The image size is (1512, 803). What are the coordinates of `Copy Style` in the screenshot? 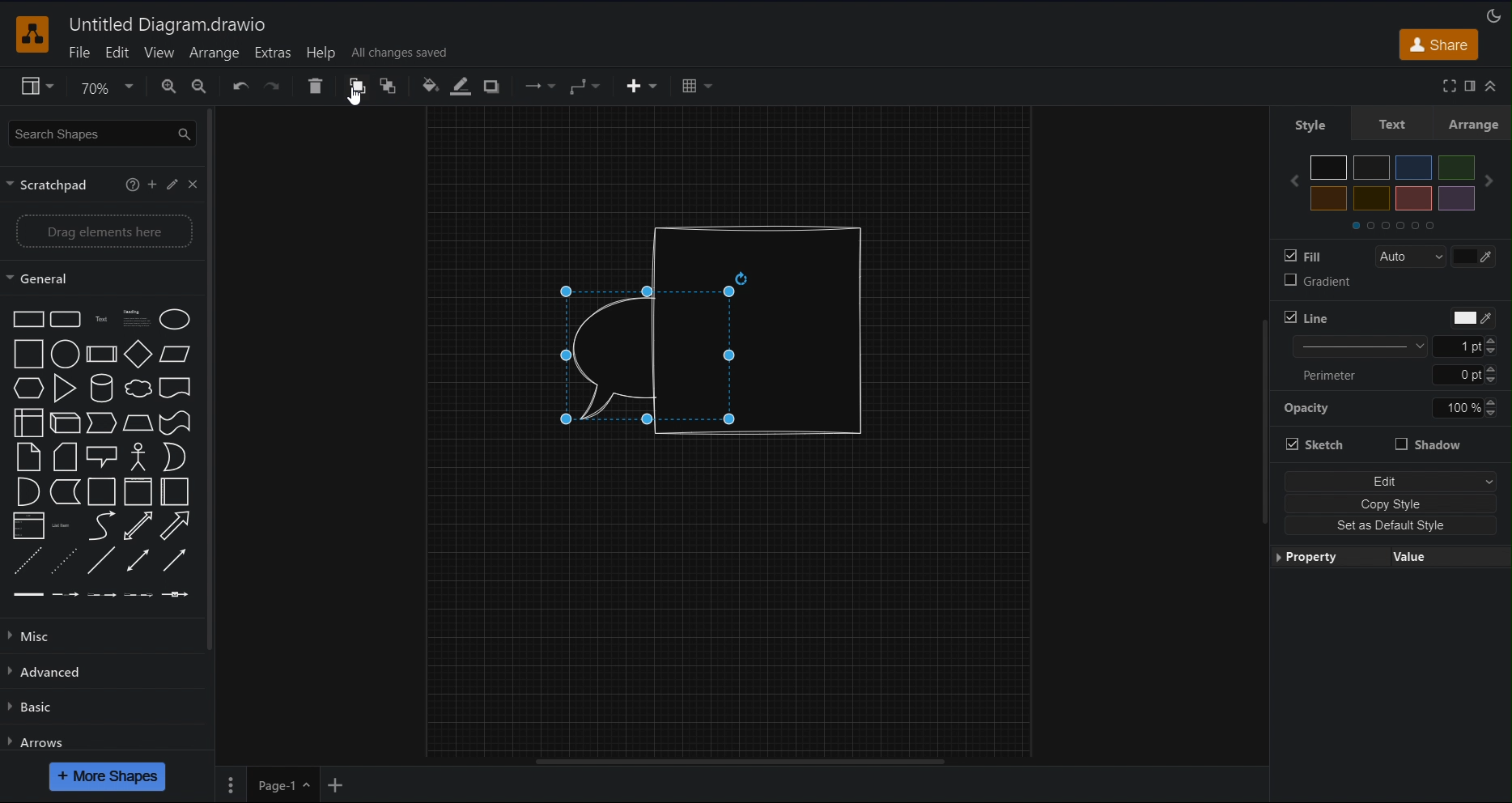 It's located at (1391, 503).